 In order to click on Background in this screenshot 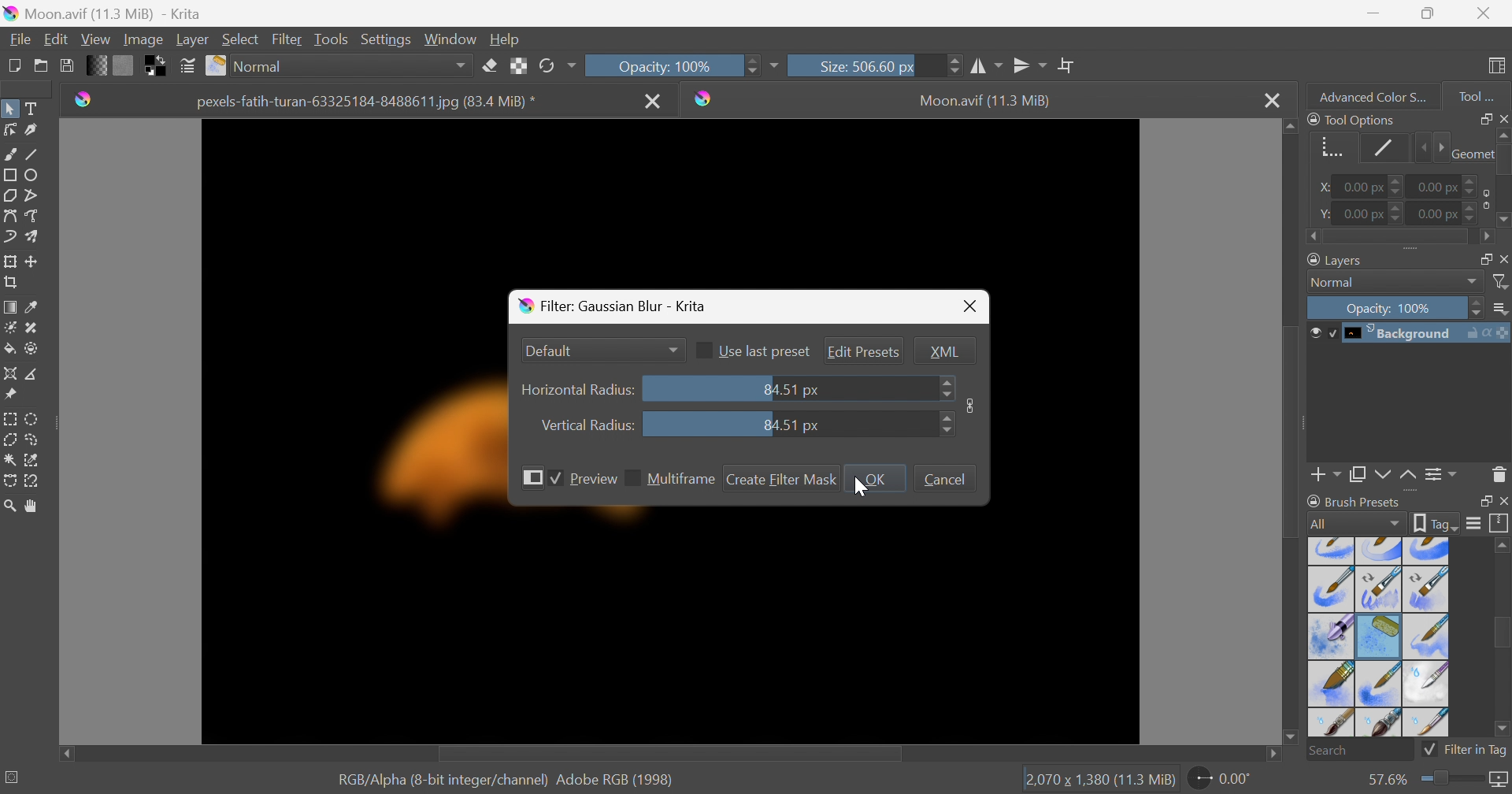, I will do `click(1408, 334)`.